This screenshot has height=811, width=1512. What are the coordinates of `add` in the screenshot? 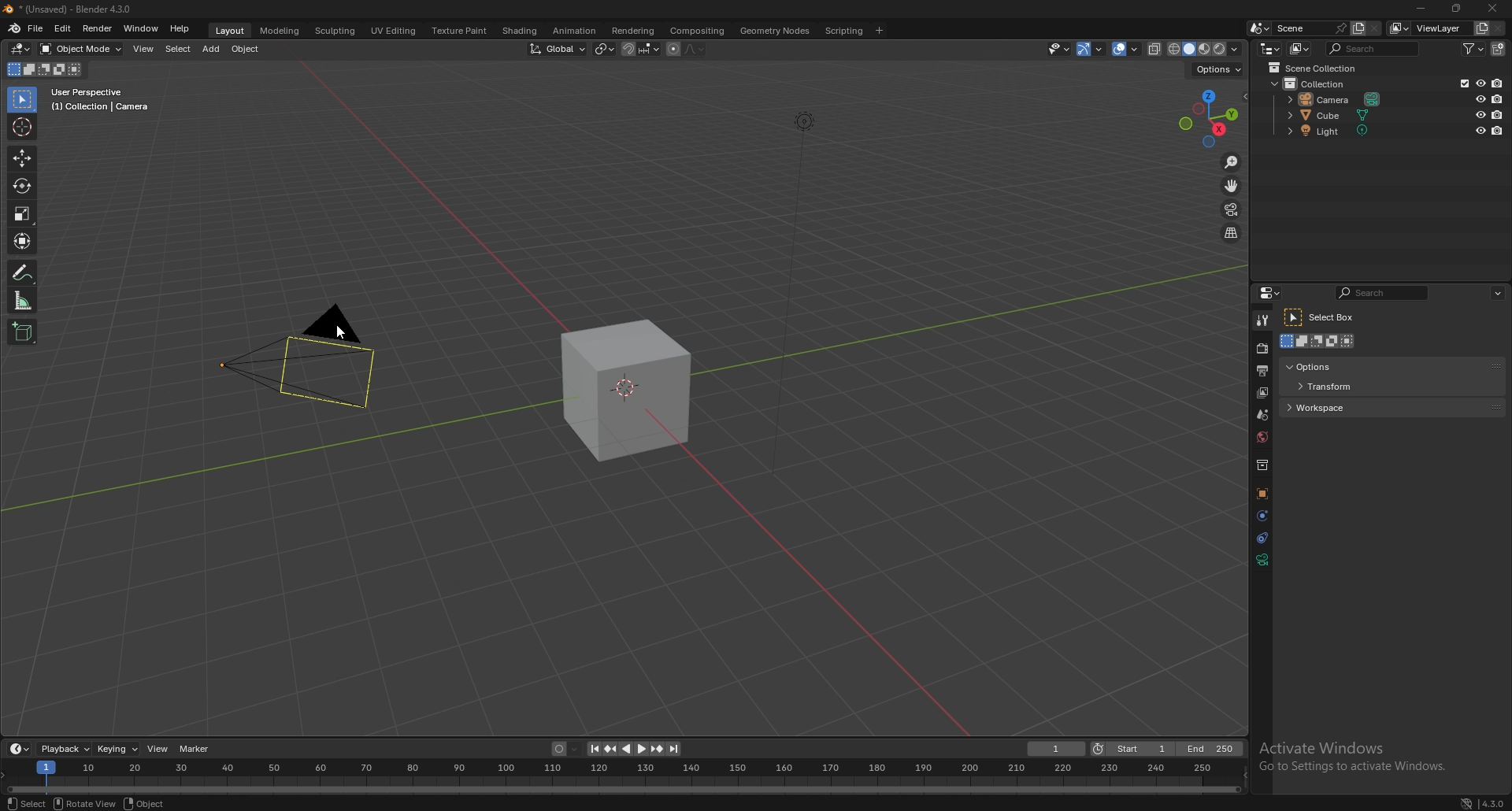 It's located at (211, 50).